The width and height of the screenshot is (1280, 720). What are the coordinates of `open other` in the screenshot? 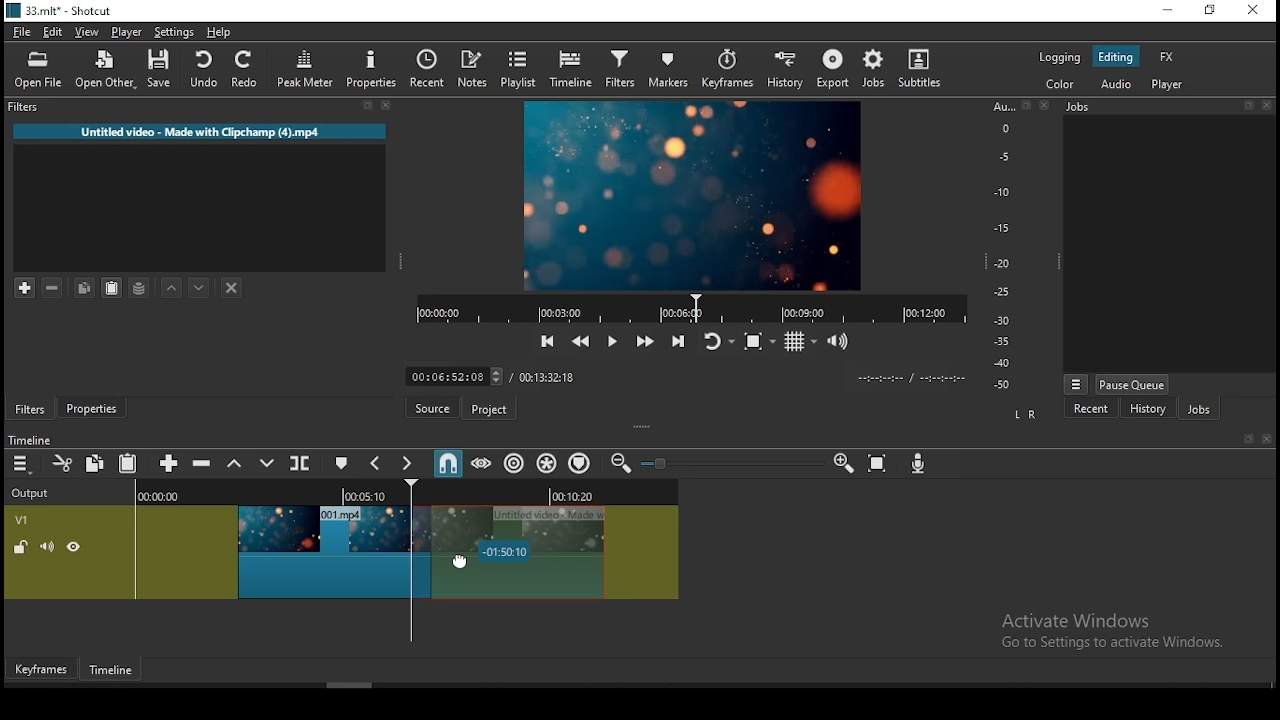 It's located at (104, 70).